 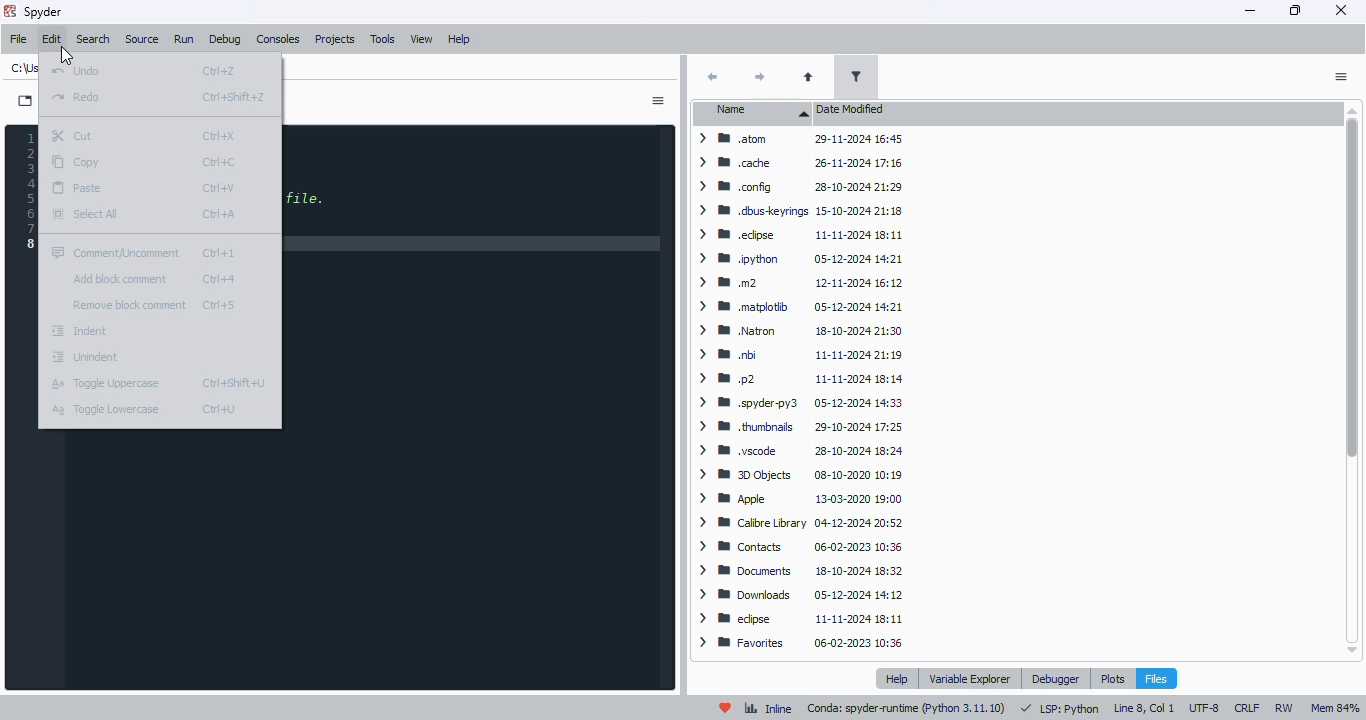 What do you see at coordinates (794, 523) in the screenshot?
I see `> IB Calibre Library 04-12-2024 20:52` at bounding box center [794, 523].